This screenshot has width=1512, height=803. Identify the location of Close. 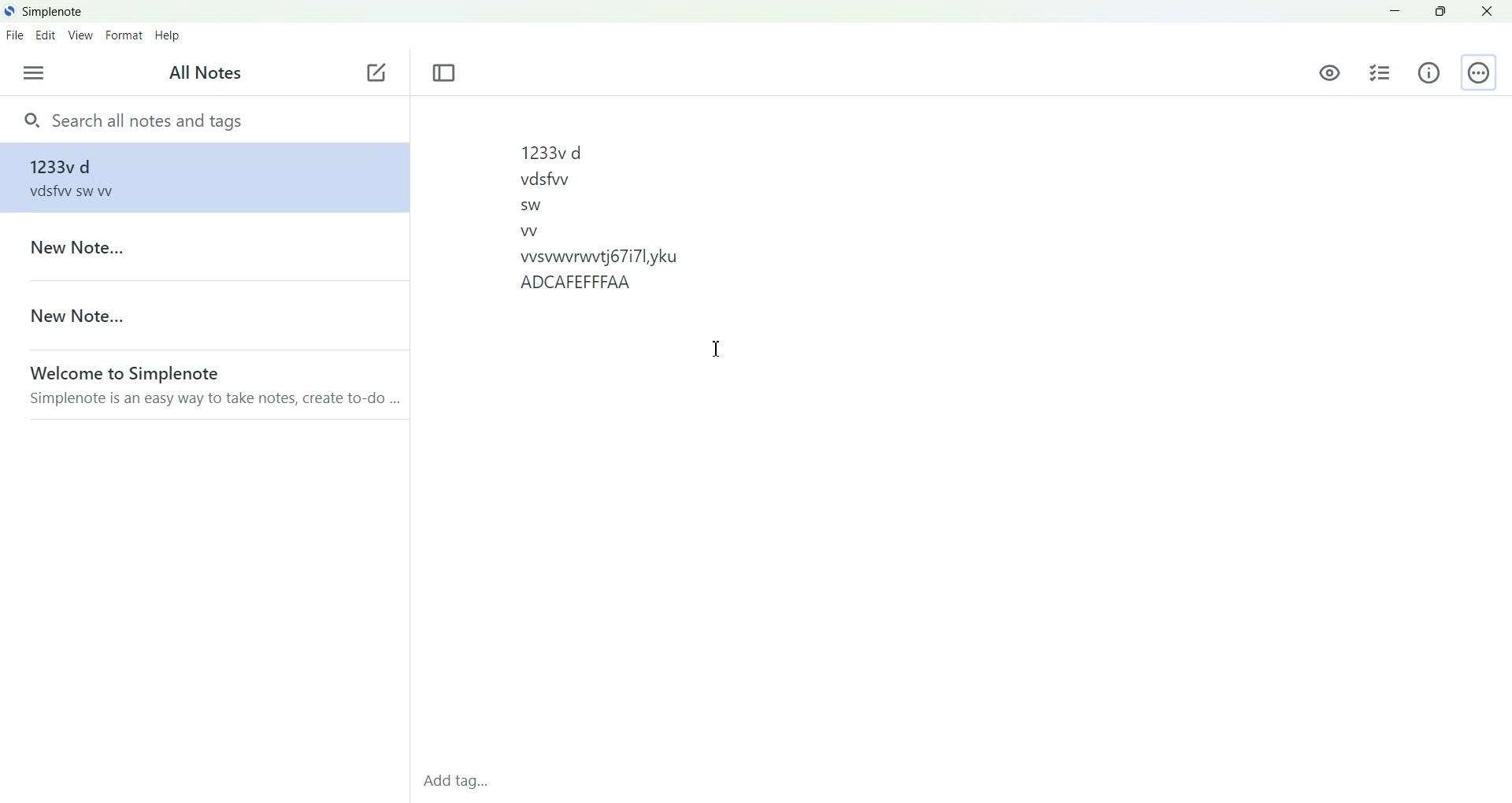
(1486, 11).